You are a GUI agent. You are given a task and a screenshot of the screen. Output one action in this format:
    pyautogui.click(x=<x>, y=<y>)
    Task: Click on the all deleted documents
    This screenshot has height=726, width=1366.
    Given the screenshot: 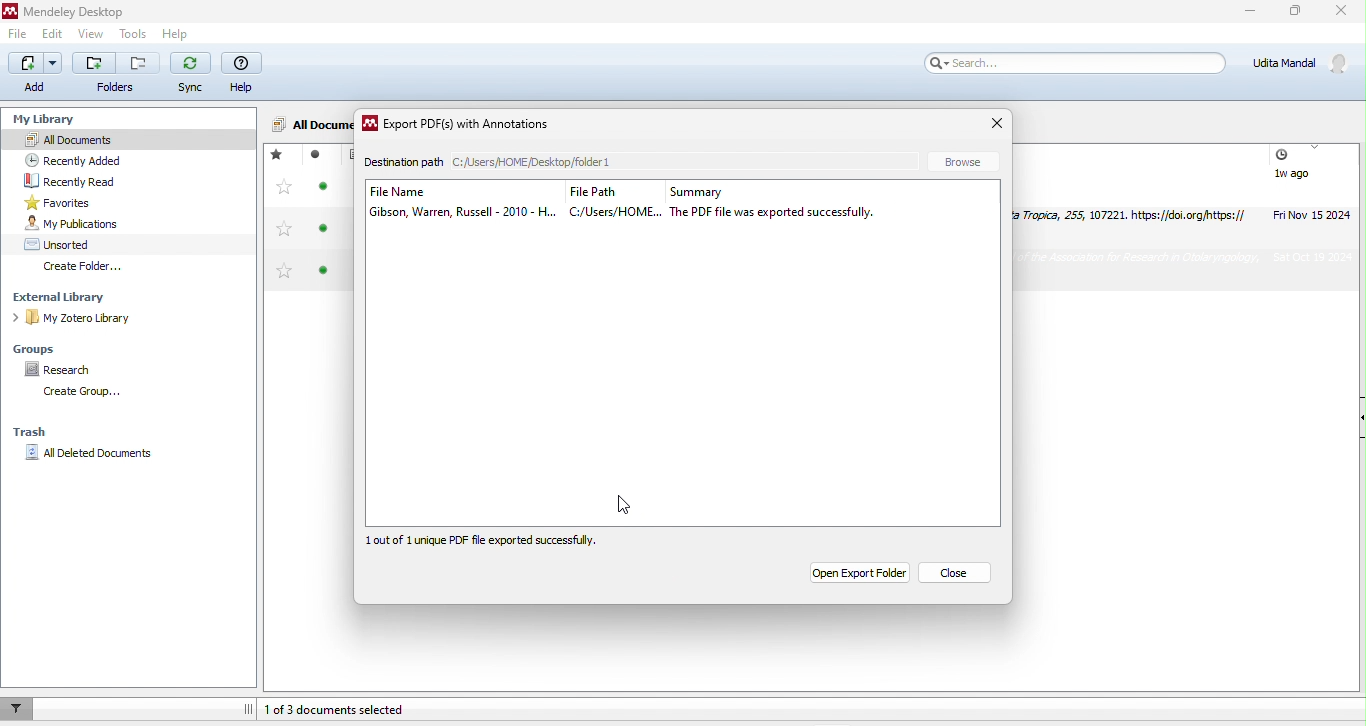 What is the action you would take?
    pyautogui.click(x=89, y=456)
    